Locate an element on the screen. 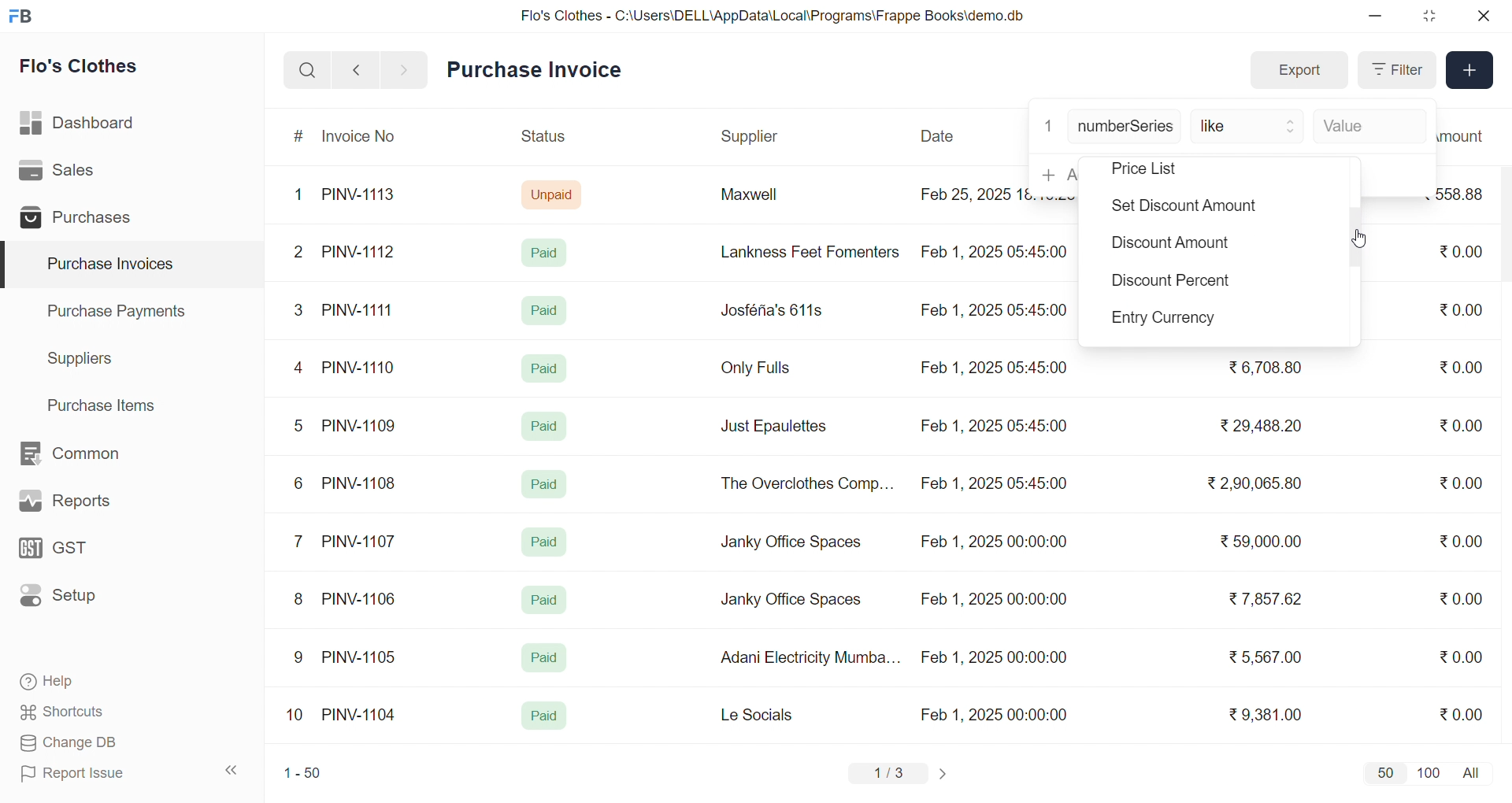 The width and height of the screenshot is (1512, 803). Suppliers is located at coordinates (83, 358).